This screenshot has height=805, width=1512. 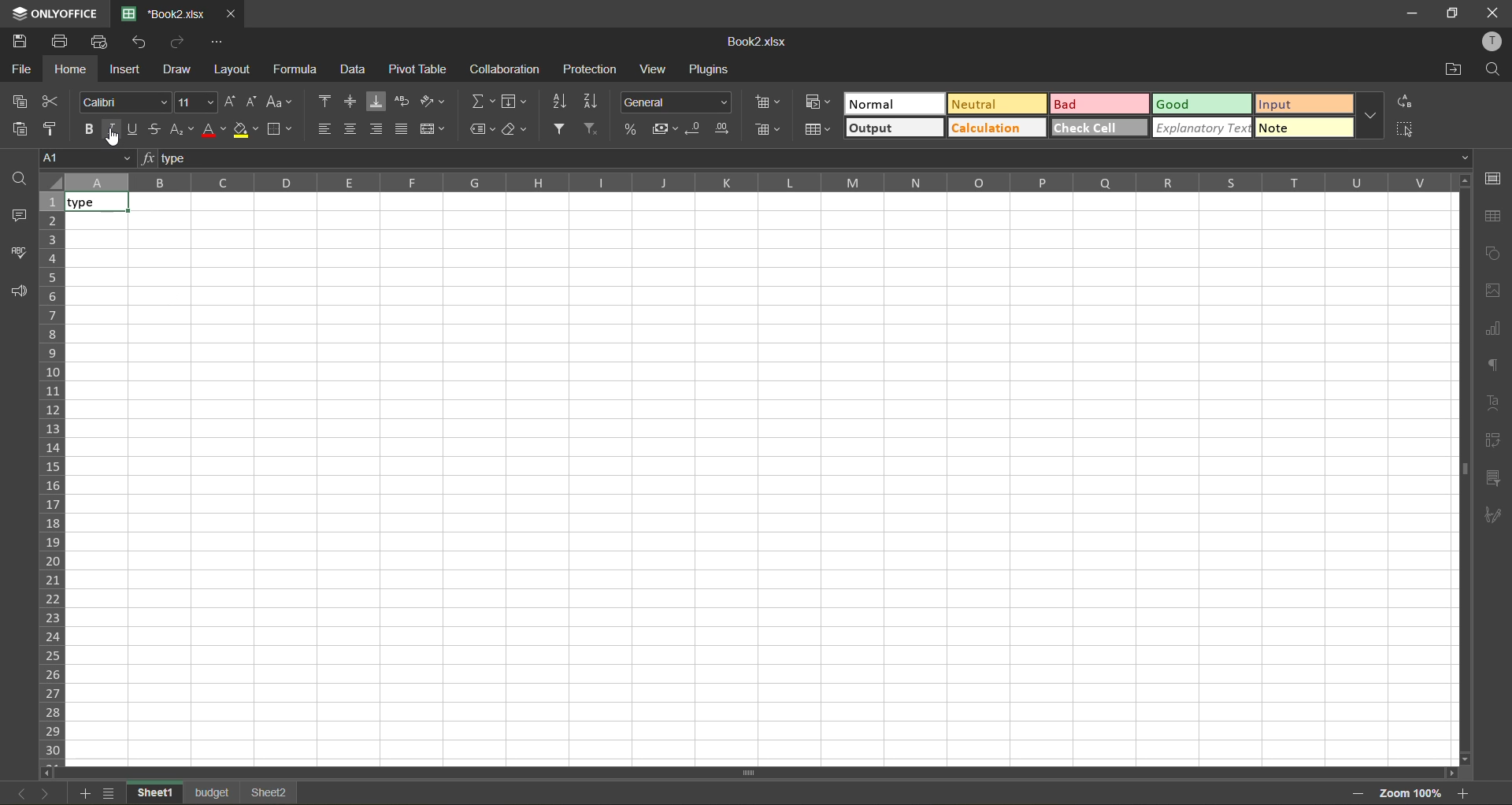 What do you see at coordinates (217, 42) in the screenshot?
I see `customize quick access toolbar` at bounding box center [217, 42].